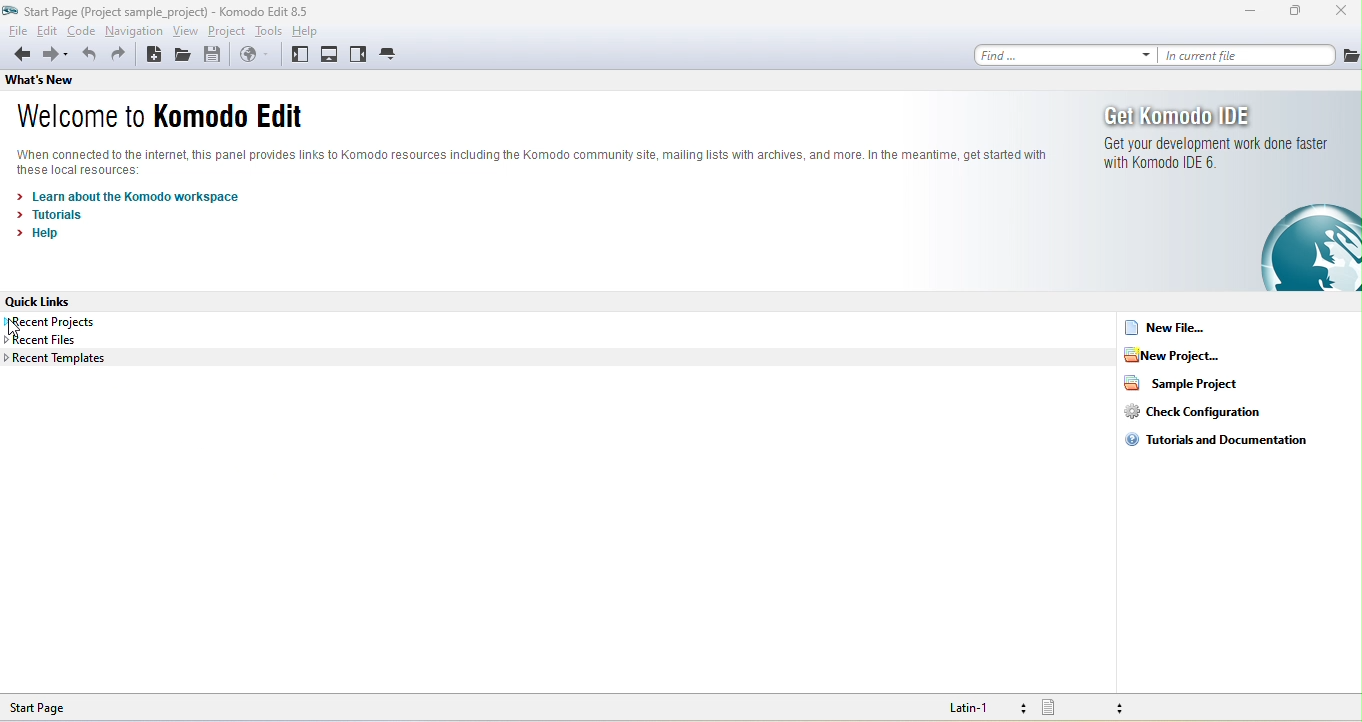 This screenshot has height=722, width=1362. Describe the element at coordinates (1245, 16) in the screenshot. I see `minimize` at that location.